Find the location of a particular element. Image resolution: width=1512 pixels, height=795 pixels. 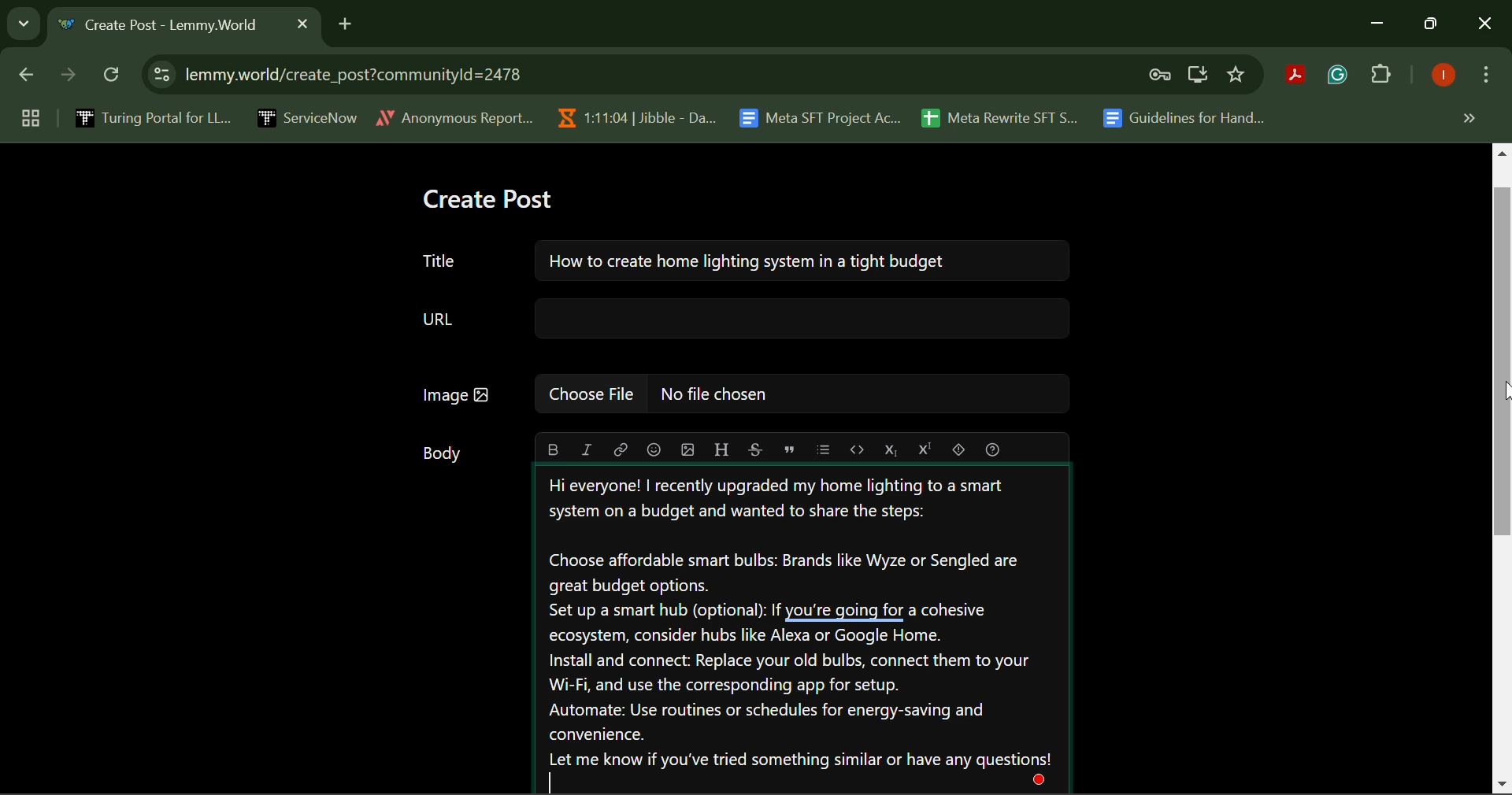

Post Title Text  is located at coordinates (738, 264).